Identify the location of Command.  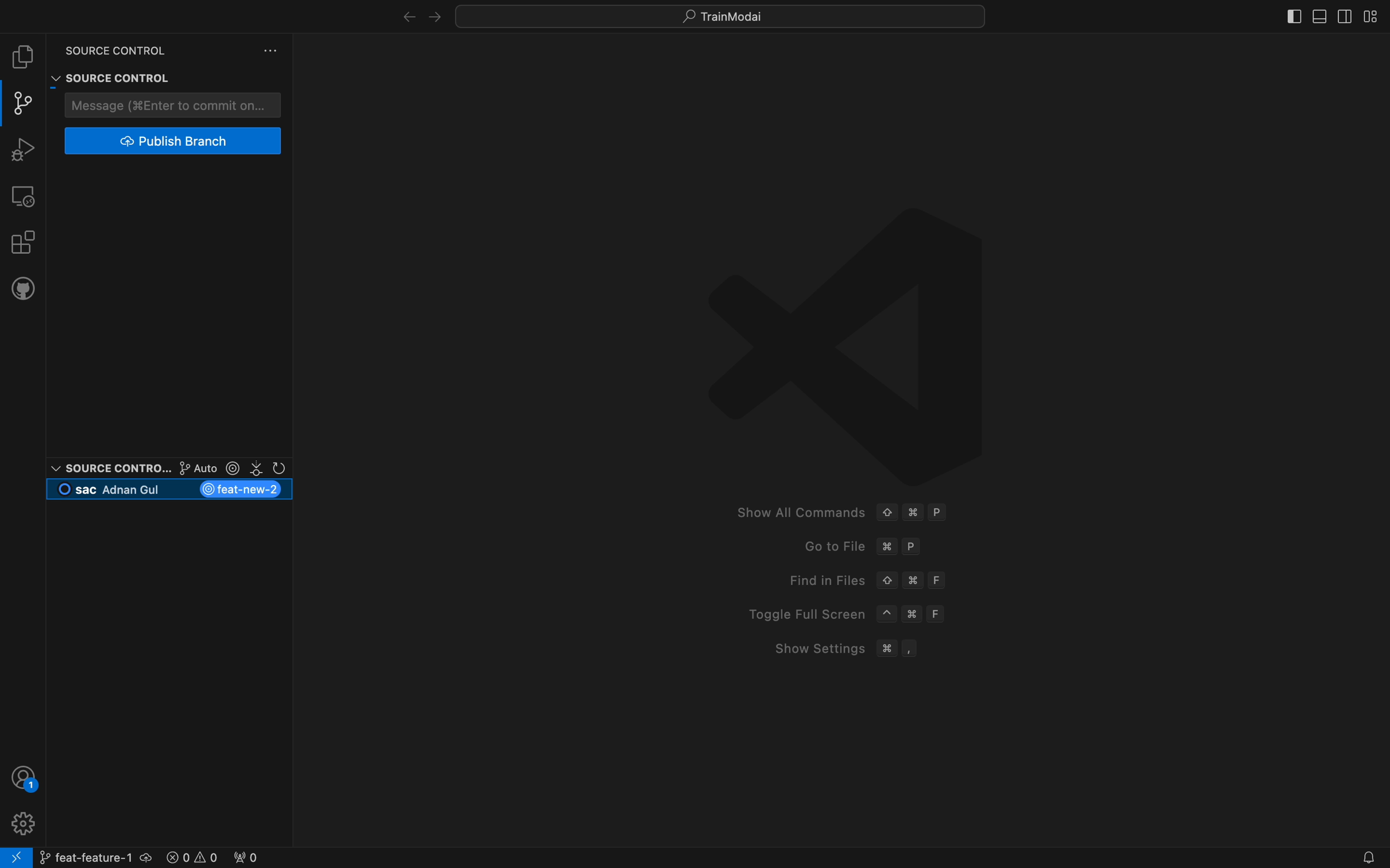
(913, 580).